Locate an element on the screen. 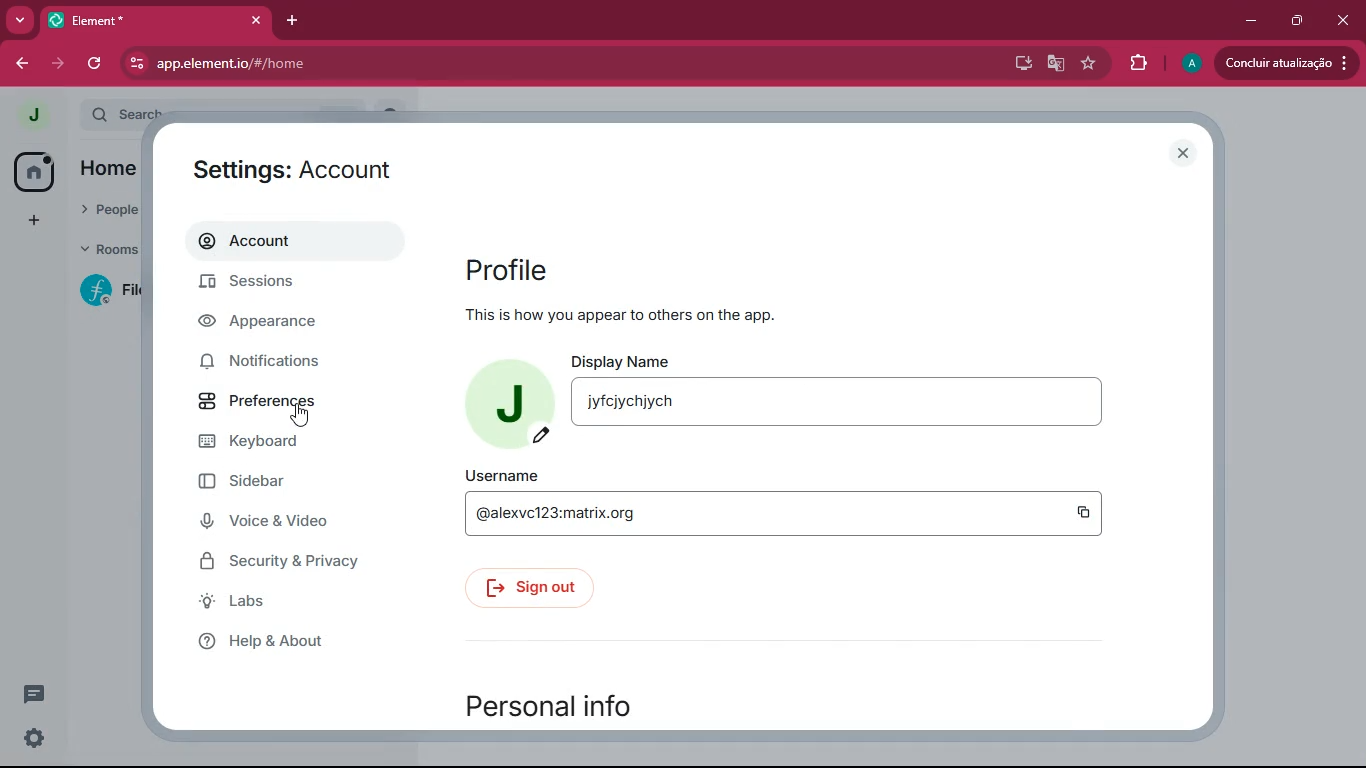 Image resolution: width=1366 pixels, height=768 pixels. add tab is located at coordinates (297, 21).